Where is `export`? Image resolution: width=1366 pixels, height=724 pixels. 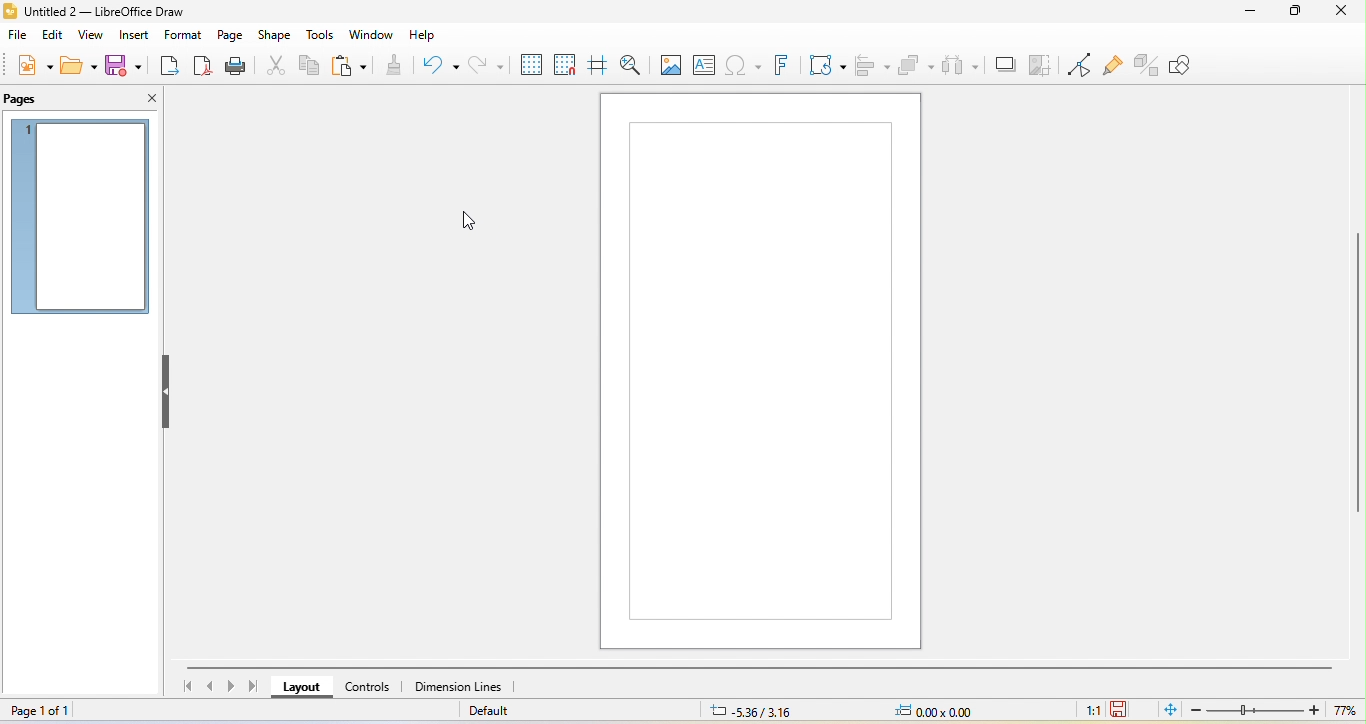
export is located at coordinates (170, 67).